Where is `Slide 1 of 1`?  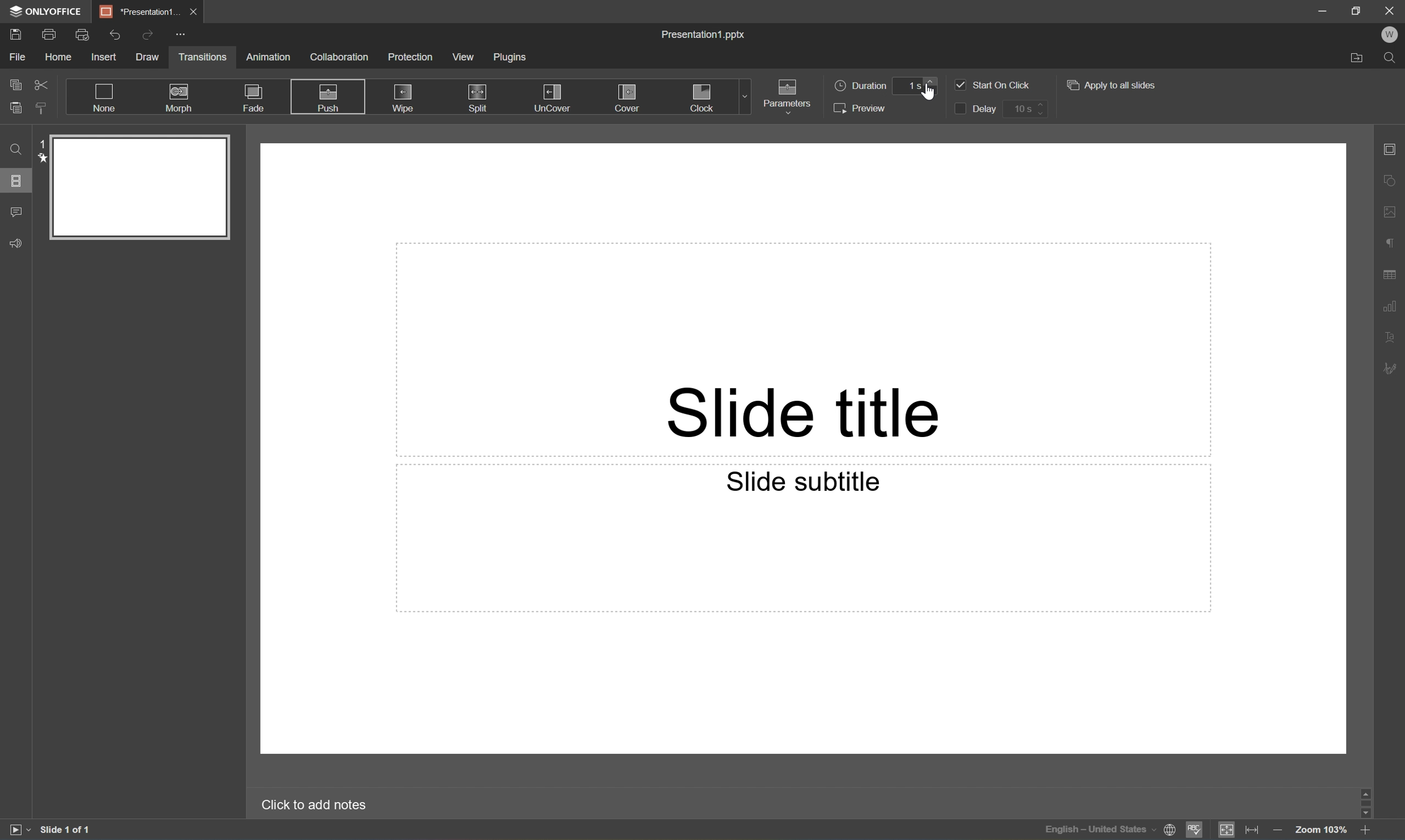 Slide 1 of 1 is located at coordinates (66, 832).